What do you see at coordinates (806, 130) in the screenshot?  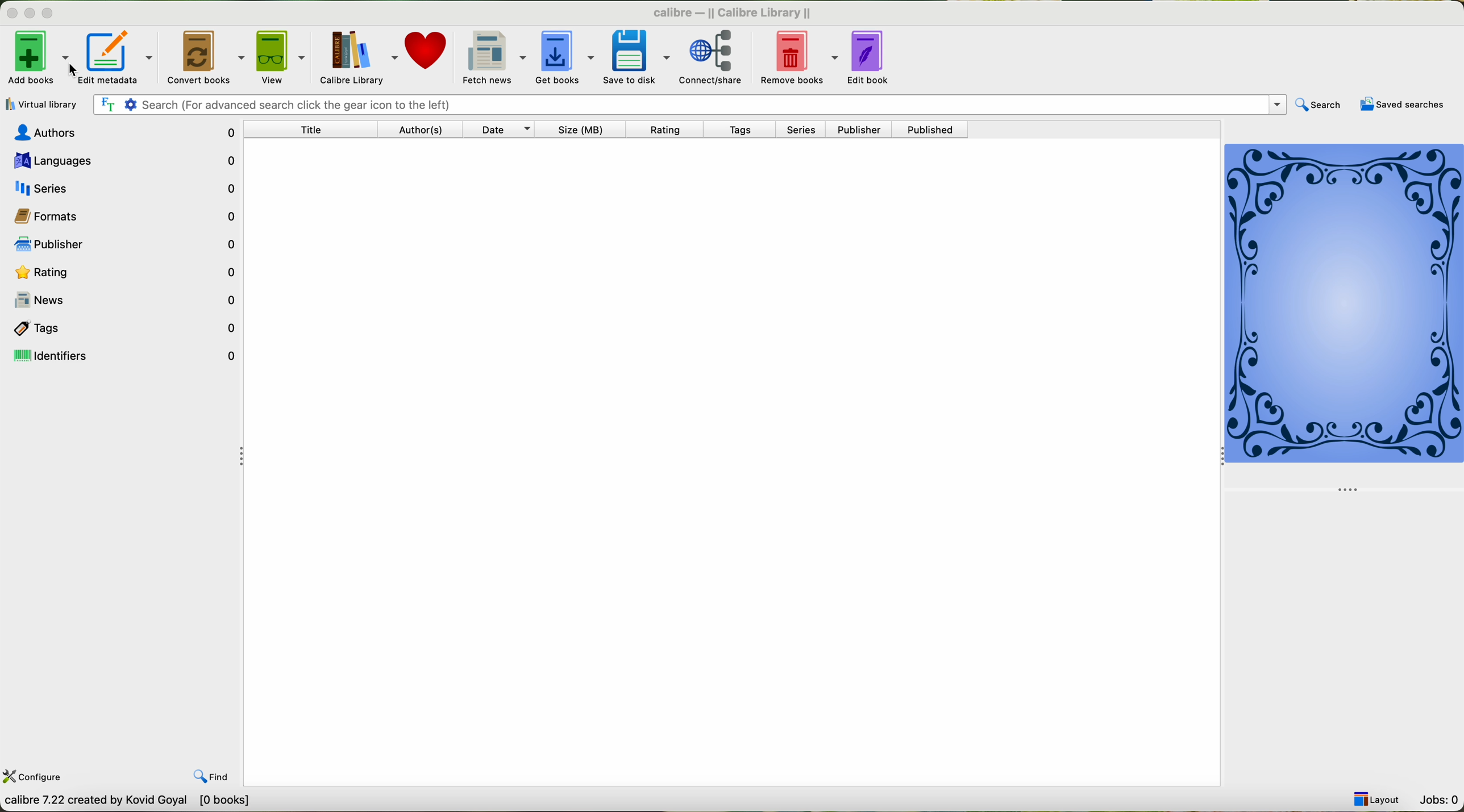 I see `series` at bounding box center [806, 130].